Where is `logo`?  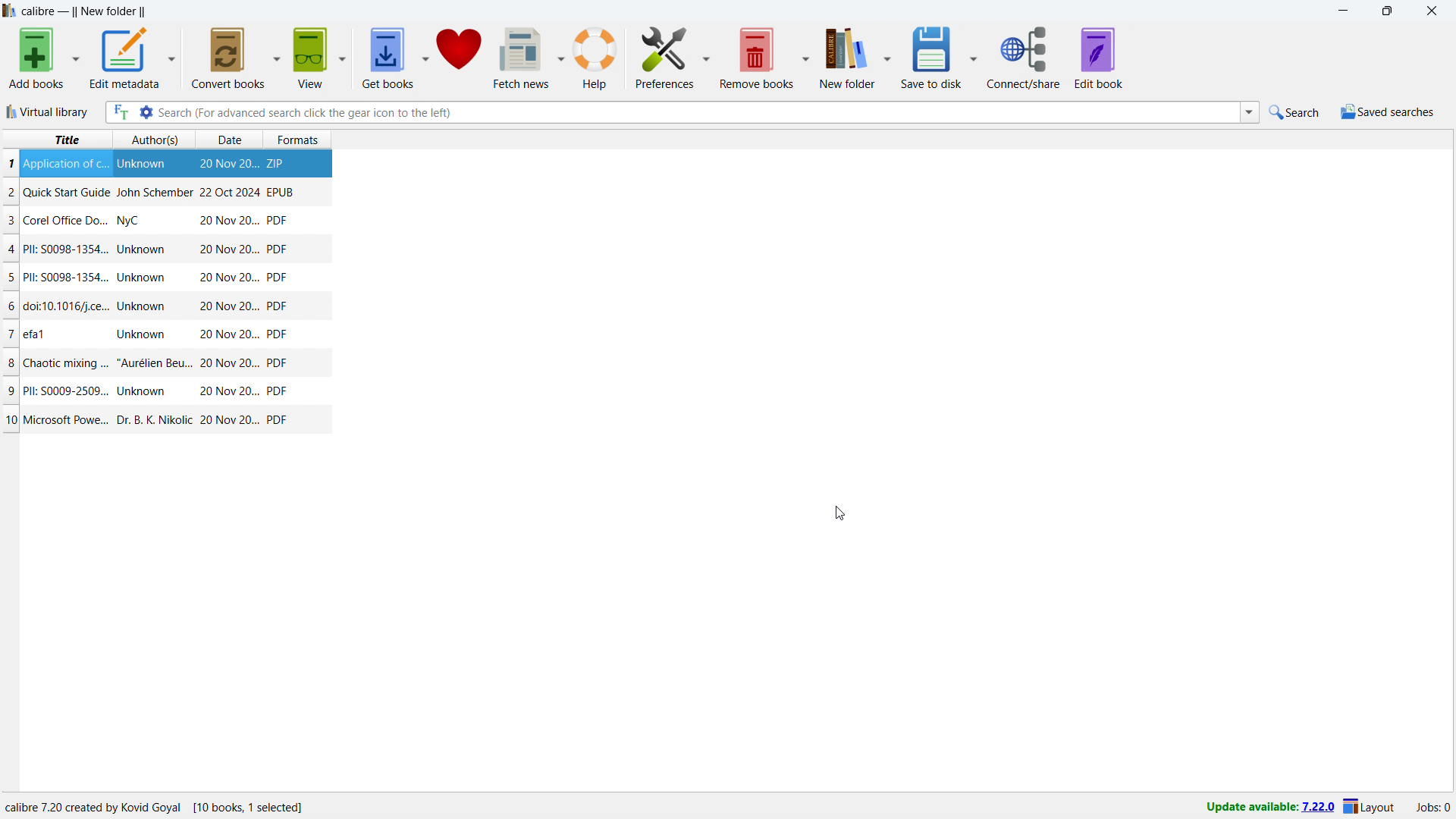 logo is located at coordinates (10, 11).